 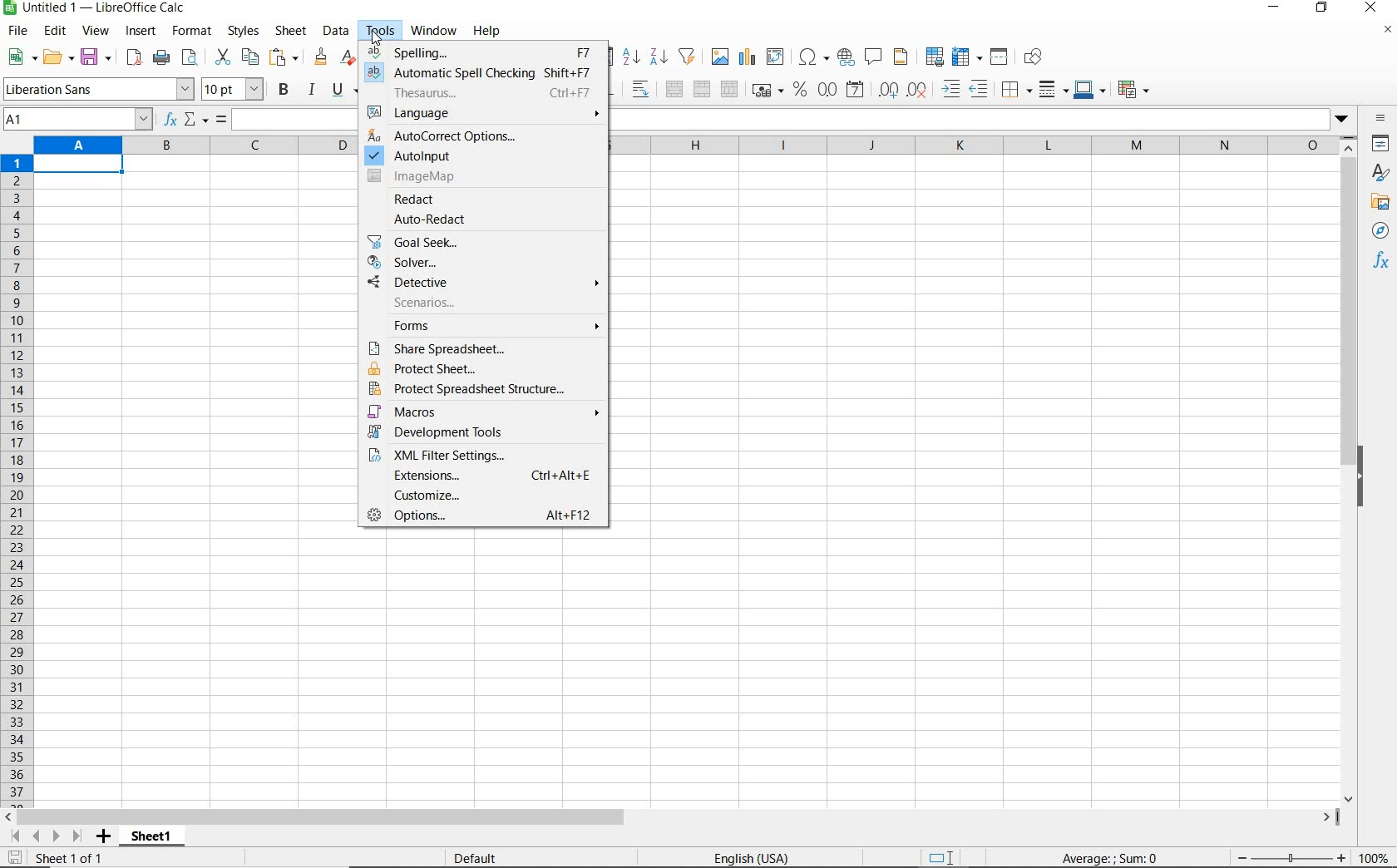 I want to click on export as pdf, so click(x=135, y=57).